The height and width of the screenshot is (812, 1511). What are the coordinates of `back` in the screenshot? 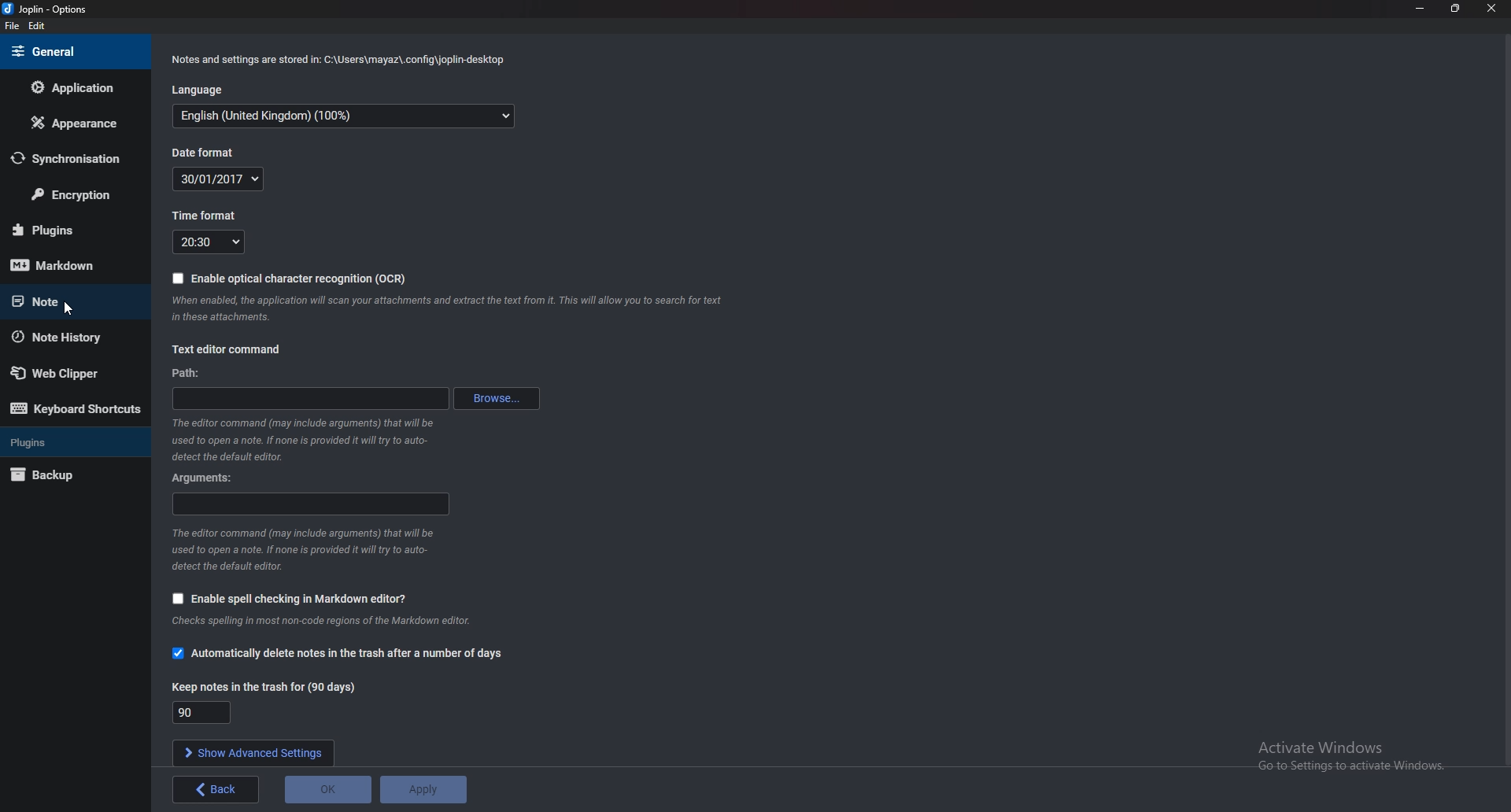 It's located at (214, 788).